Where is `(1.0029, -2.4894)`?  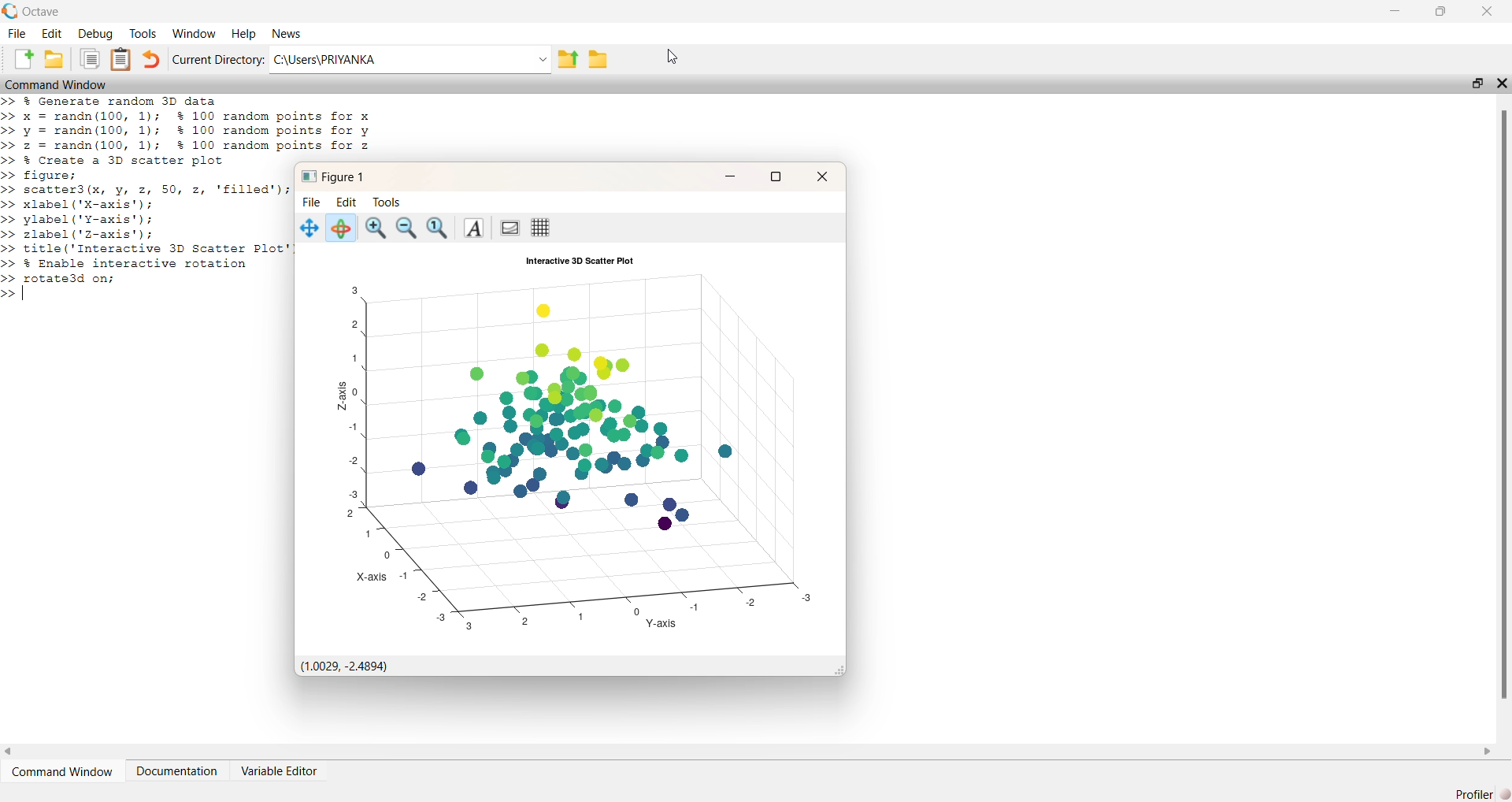
(1.0029, -2.4894) is located at coordinates (349, 665).